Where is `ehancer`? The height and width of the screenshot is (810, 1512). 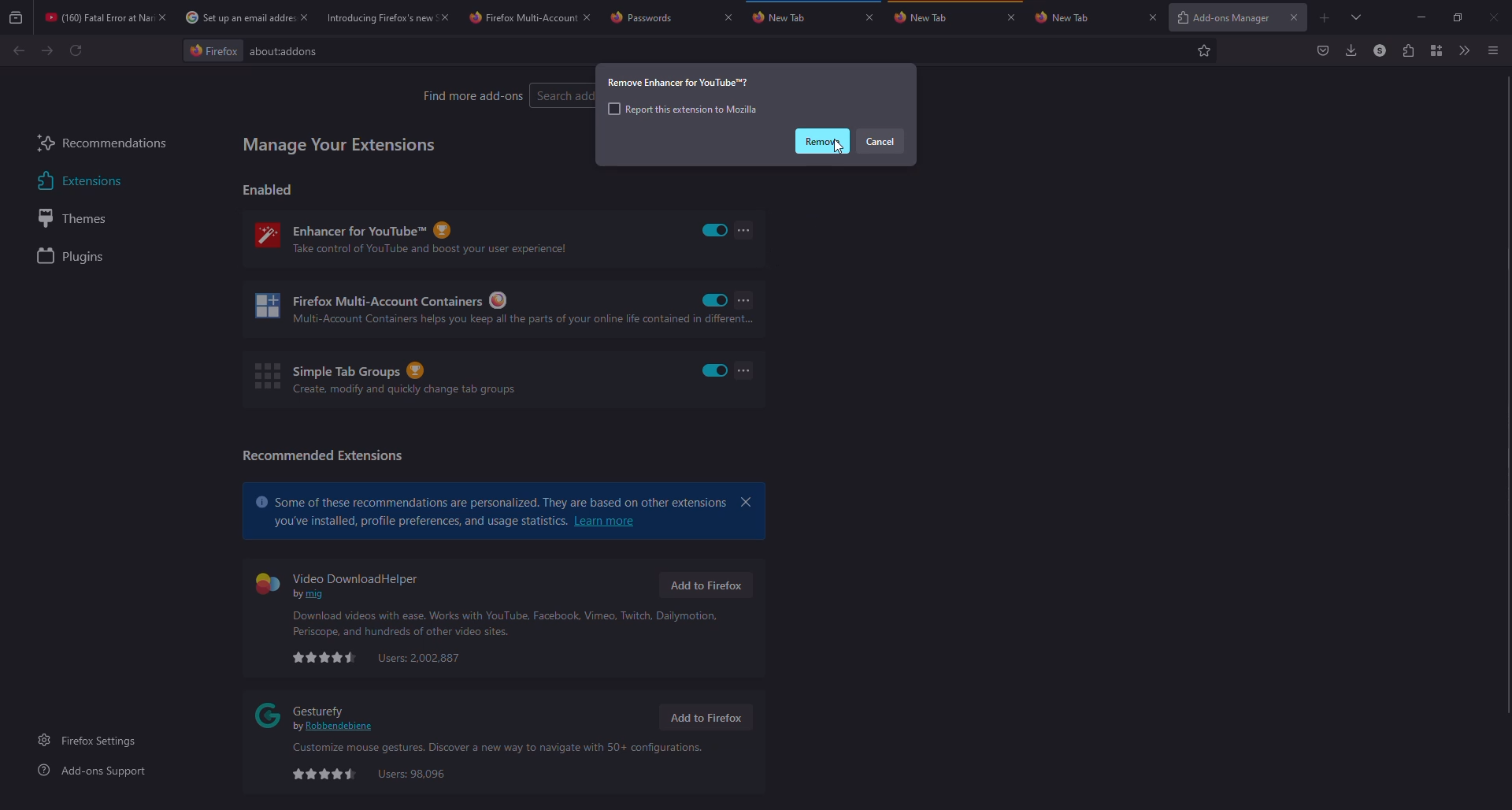
ehancer is located at coordinates (421, 239).